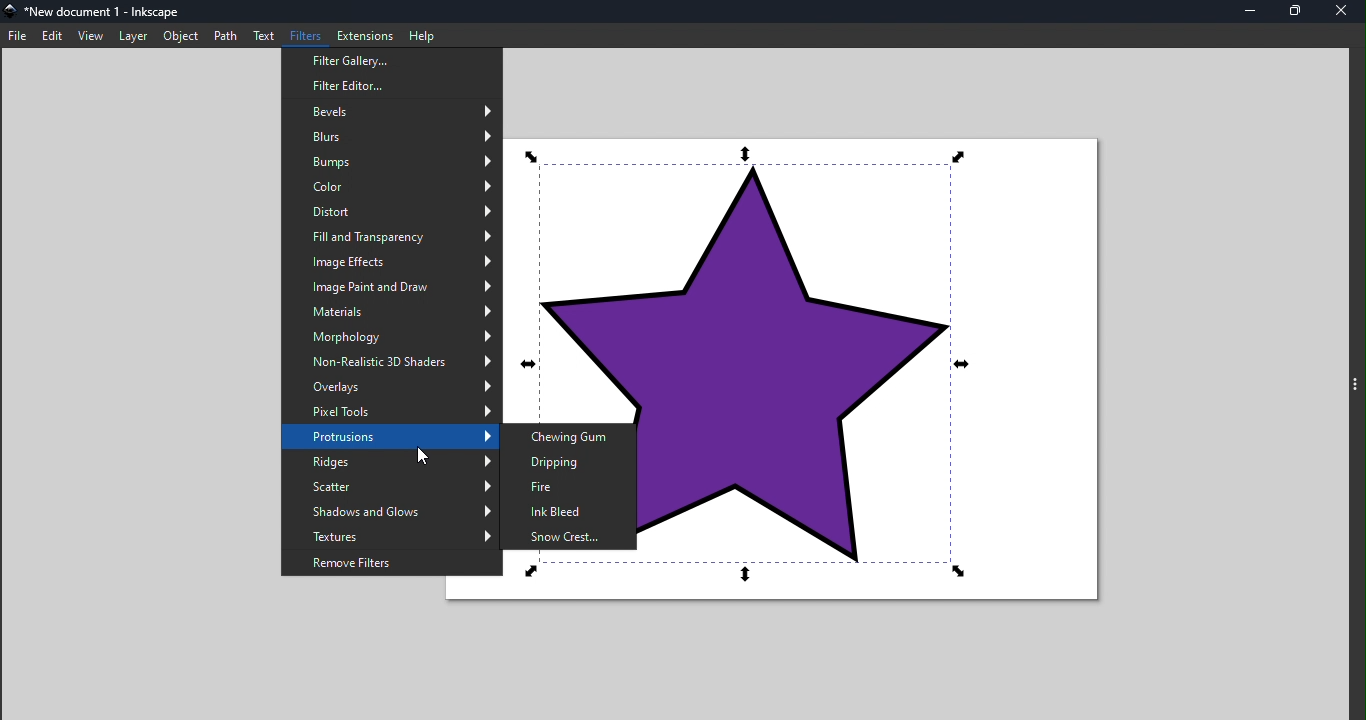  Describe the element at coordinates (368, 34) in the screenshot. I see `Extensions` at that location.